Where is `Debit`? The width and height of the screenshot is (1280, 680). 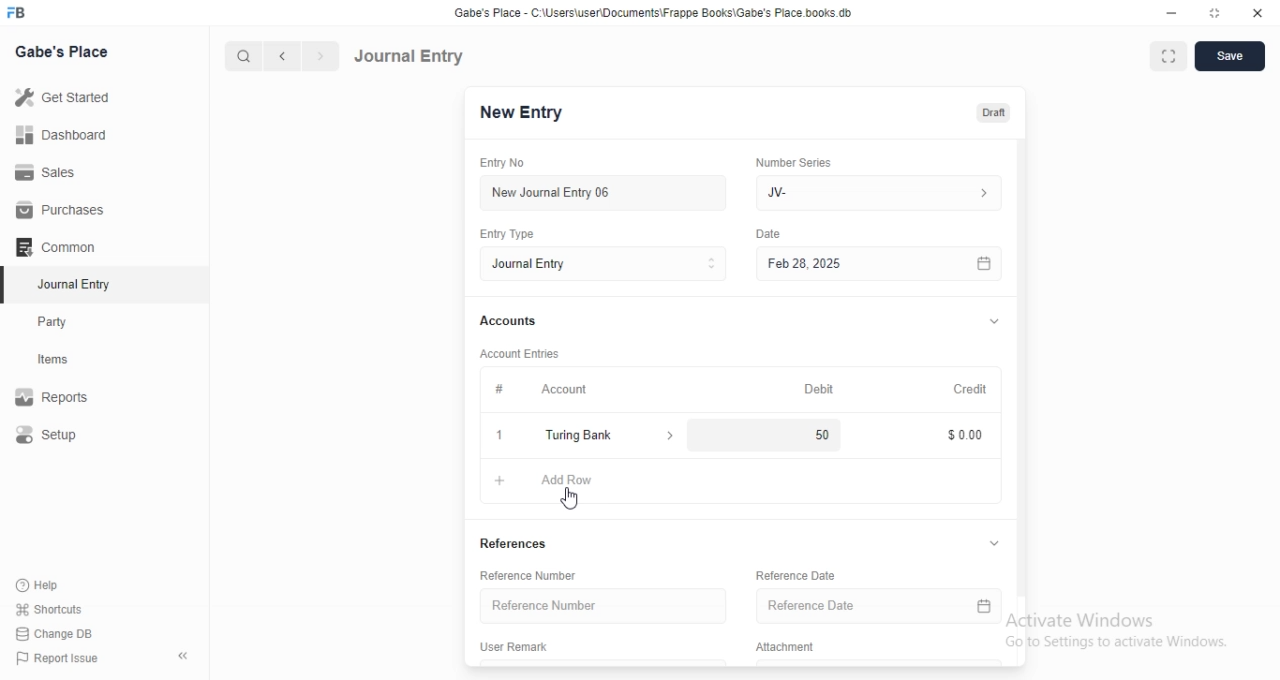
Debit is located at coordinates (820, 388).